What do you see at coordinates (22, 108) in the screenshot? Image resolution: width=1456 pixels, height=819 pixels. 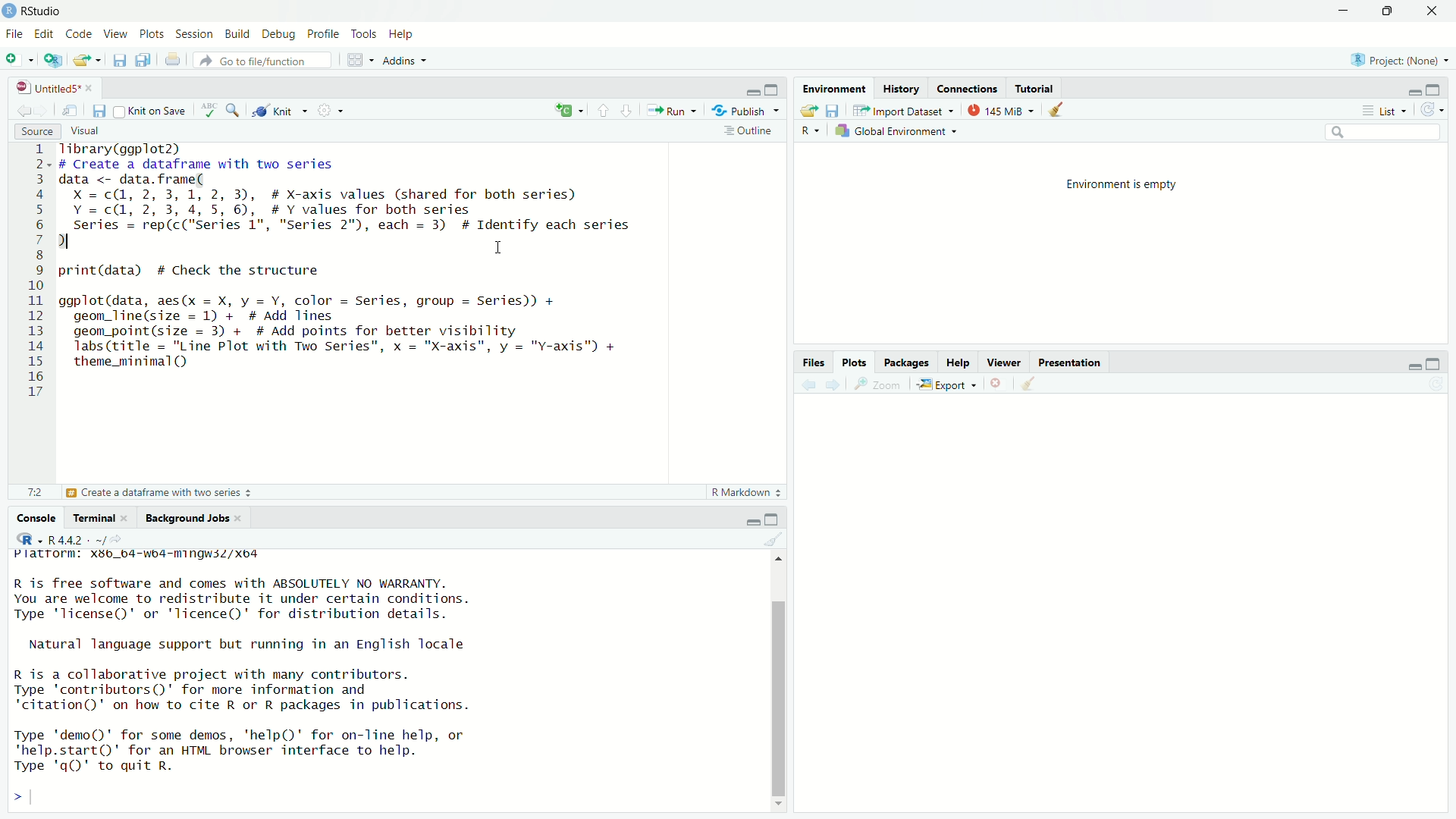 I see `Go back to the previous source selection` at bounding box center [22, 108].